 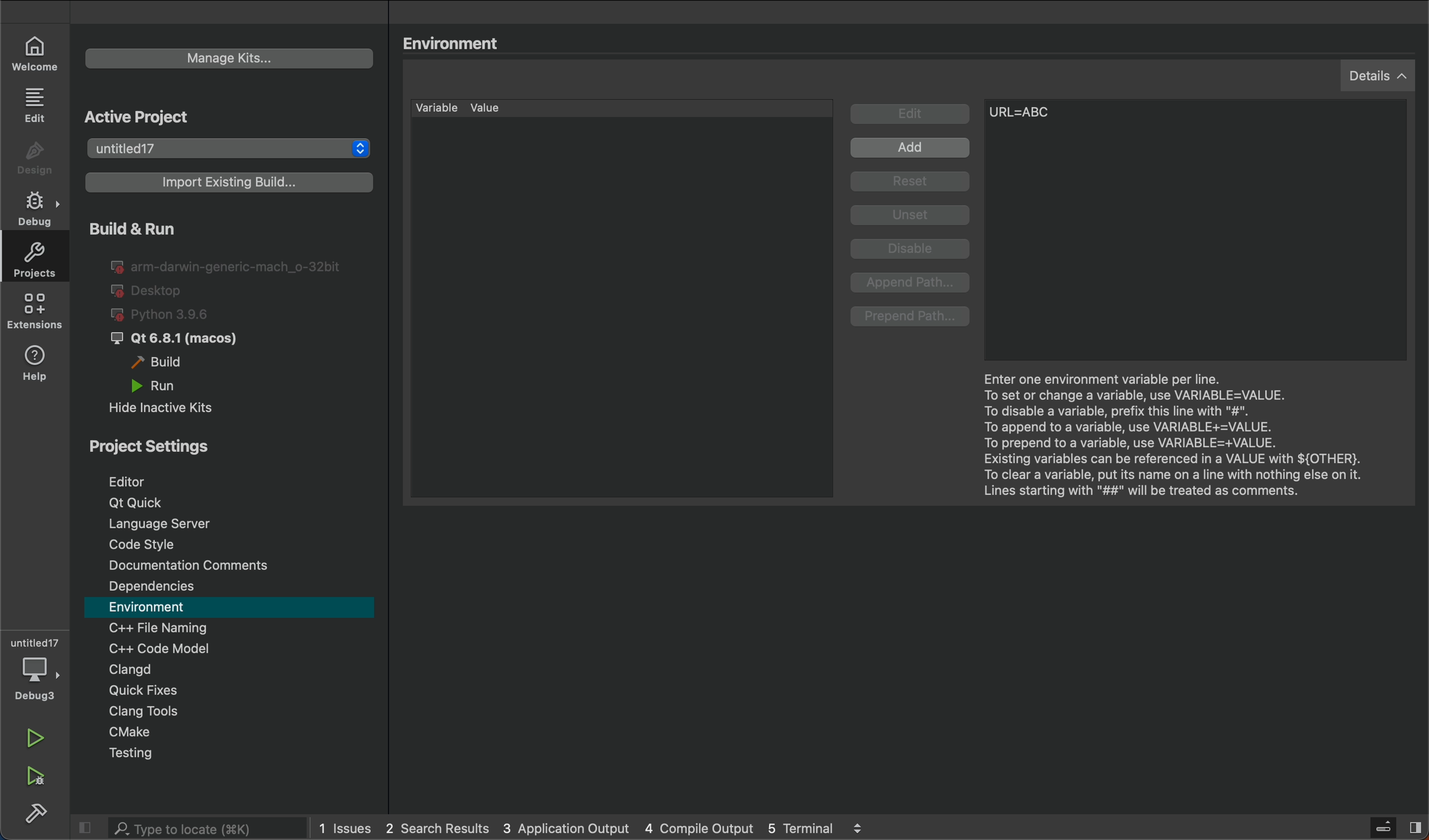 What do you see at coordinates (150, 291) in the screenshot?
I see `desktop` at bounding box center [150, 291].